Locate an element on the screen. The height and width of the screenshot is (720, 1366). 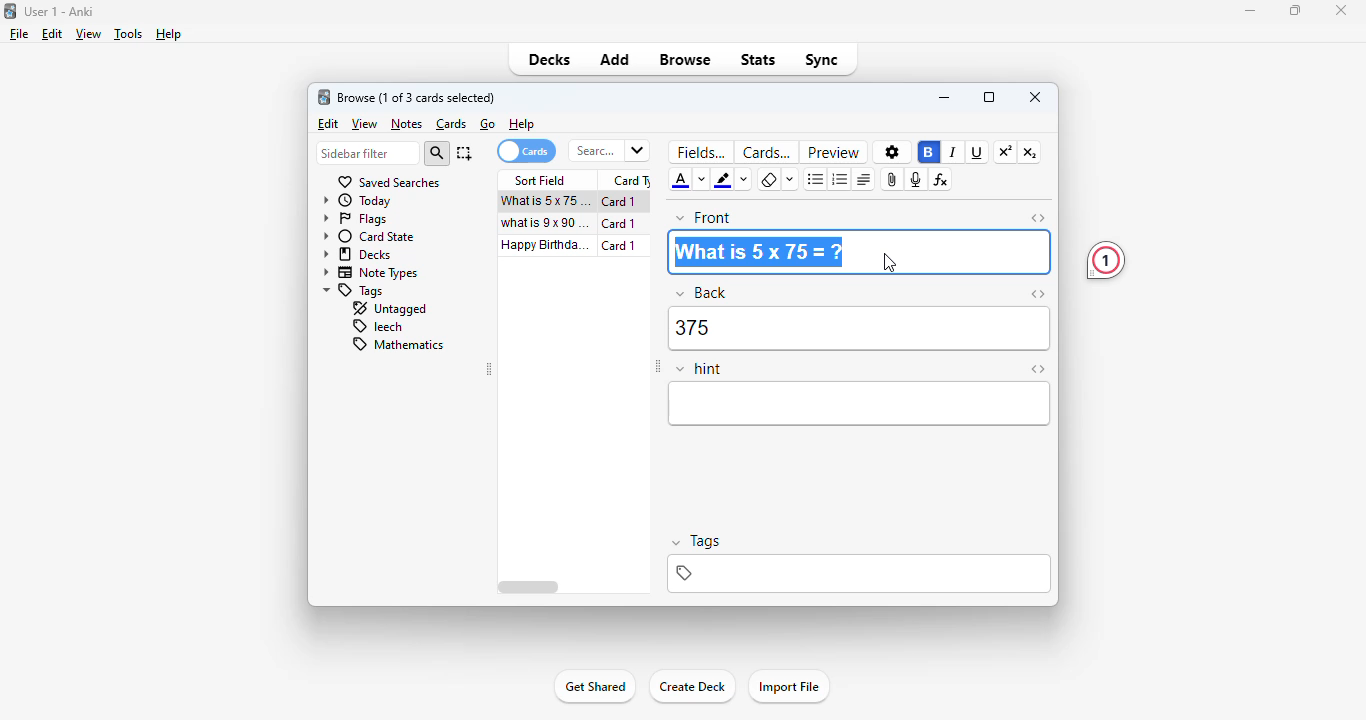
underline is located at coordinates (977, 153).